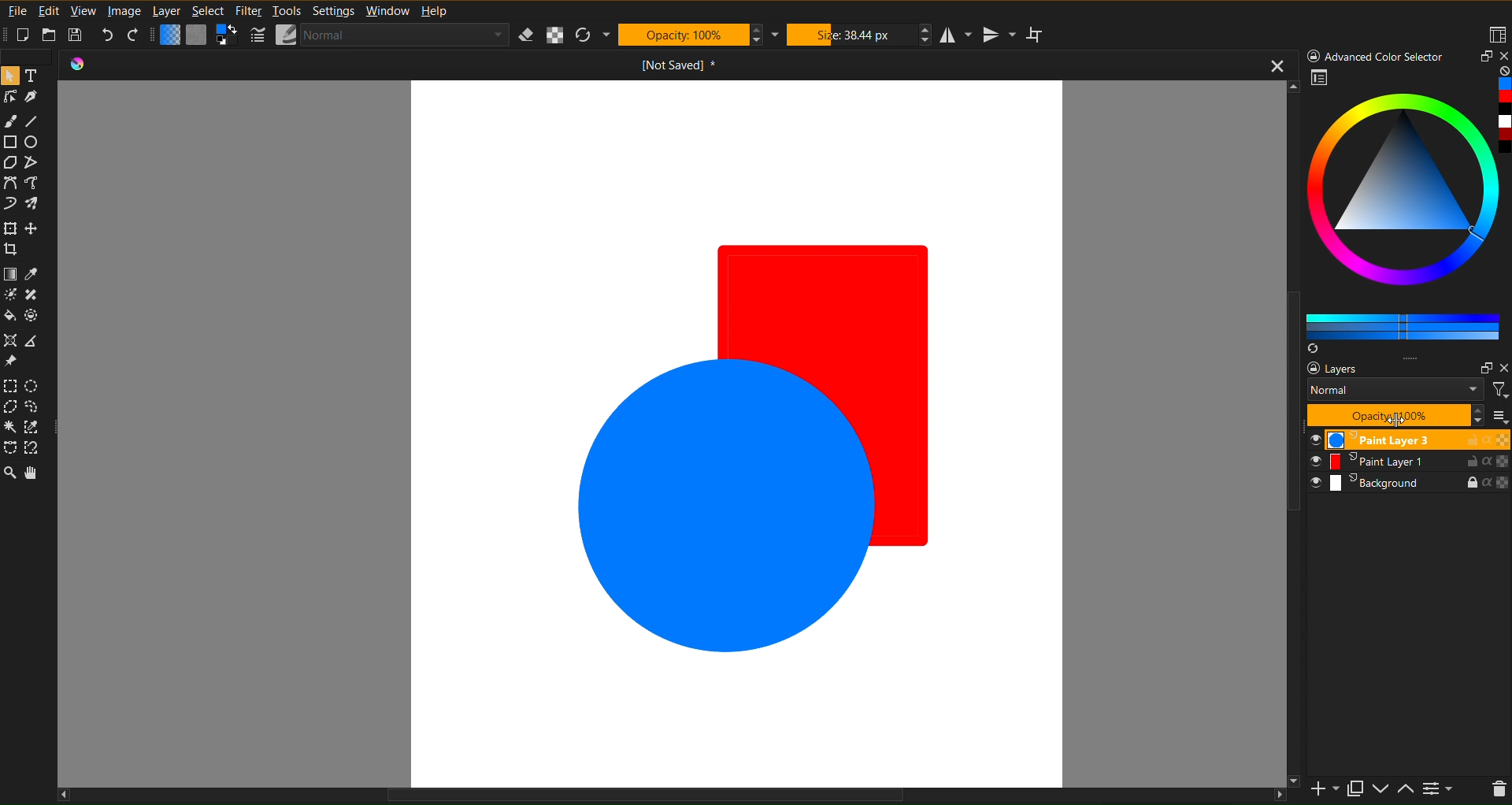 The width and height of the screenshot is (1512, 805). Describe the element at coordinates (27, 97) in the screenshot. I see `Line Tools` at that location.